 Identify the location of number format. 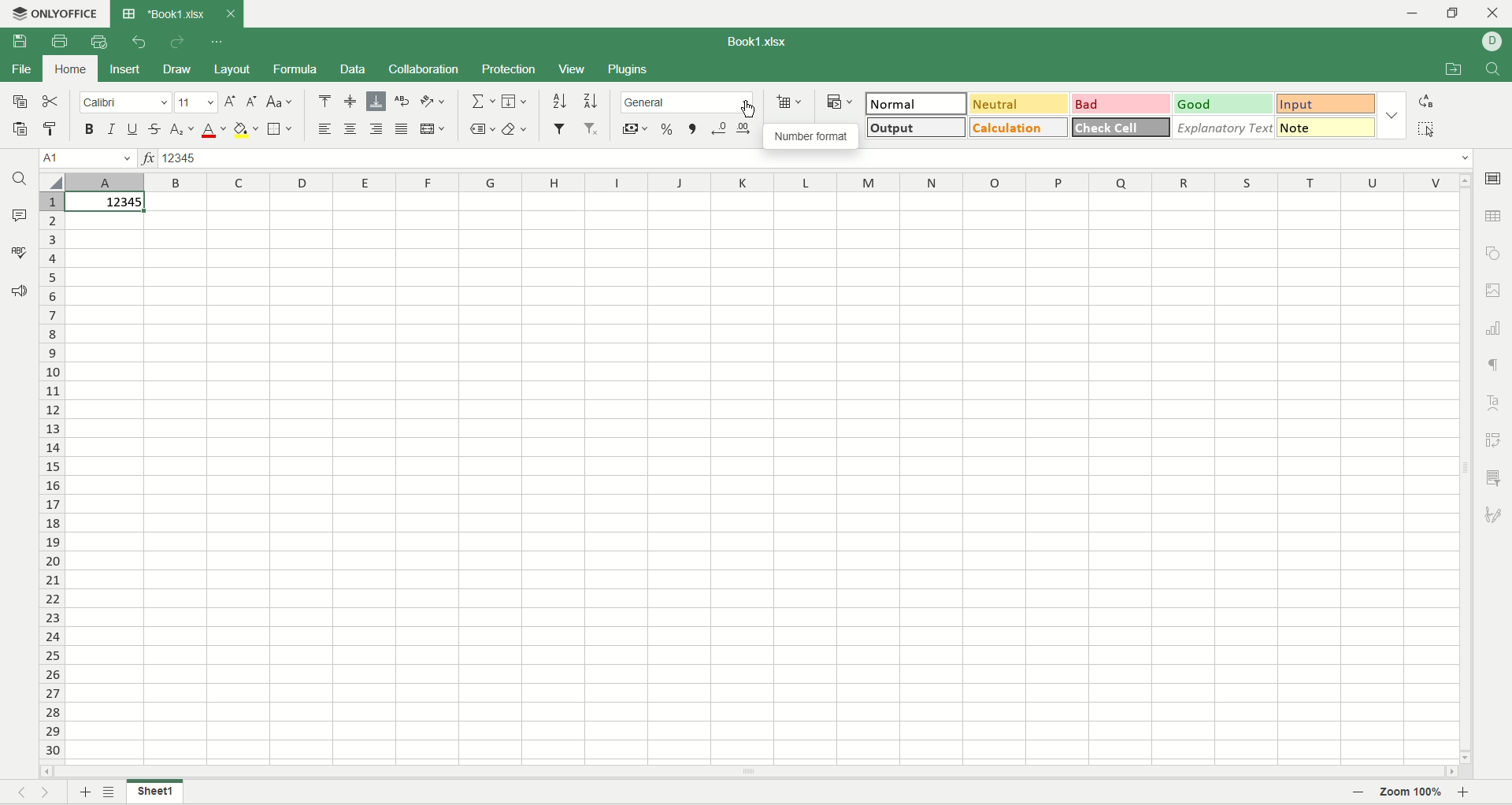
(689, 103).